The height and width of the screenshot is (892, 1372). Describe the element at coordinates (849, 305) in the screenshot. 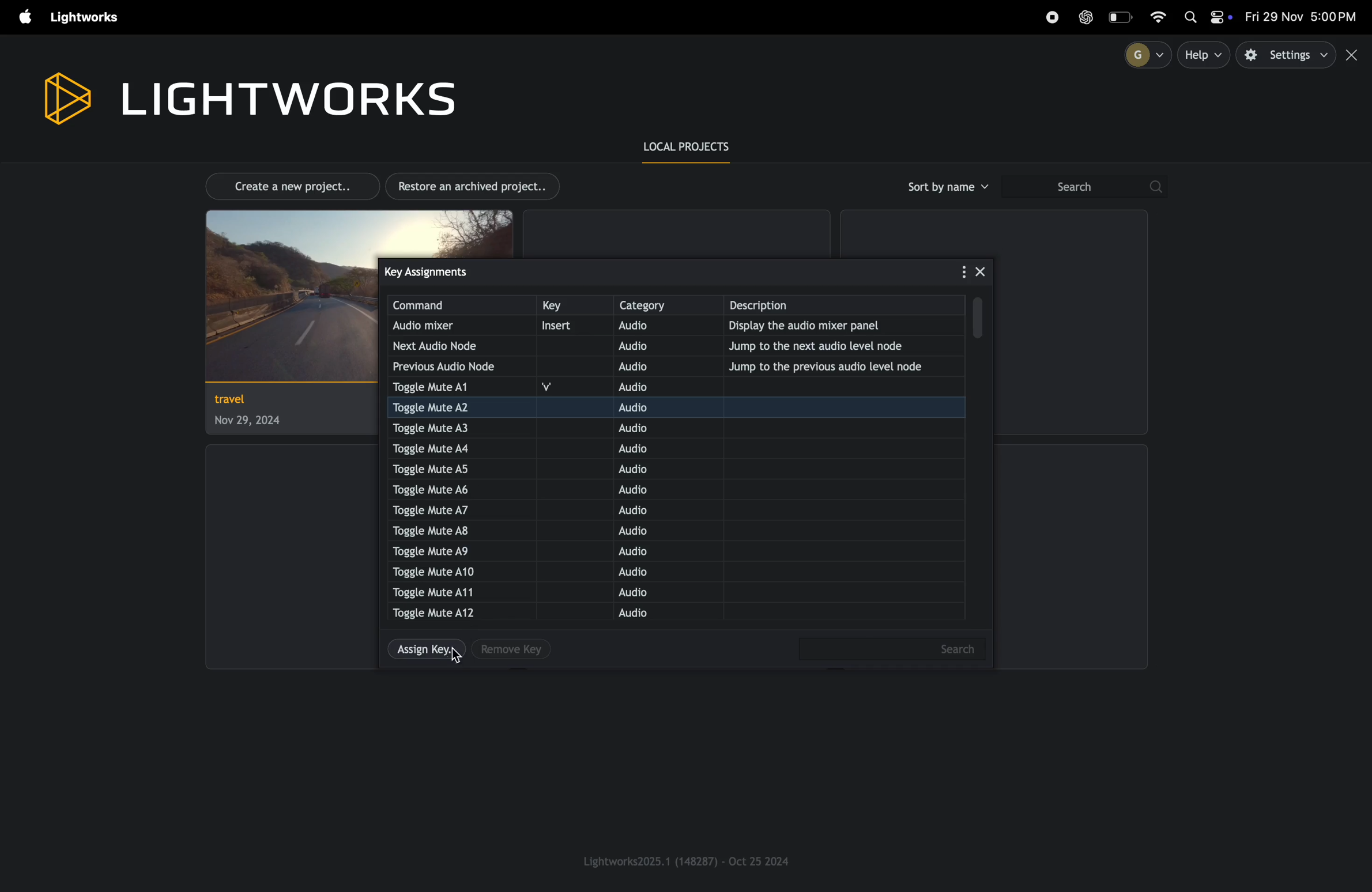

I see `description` at that location.